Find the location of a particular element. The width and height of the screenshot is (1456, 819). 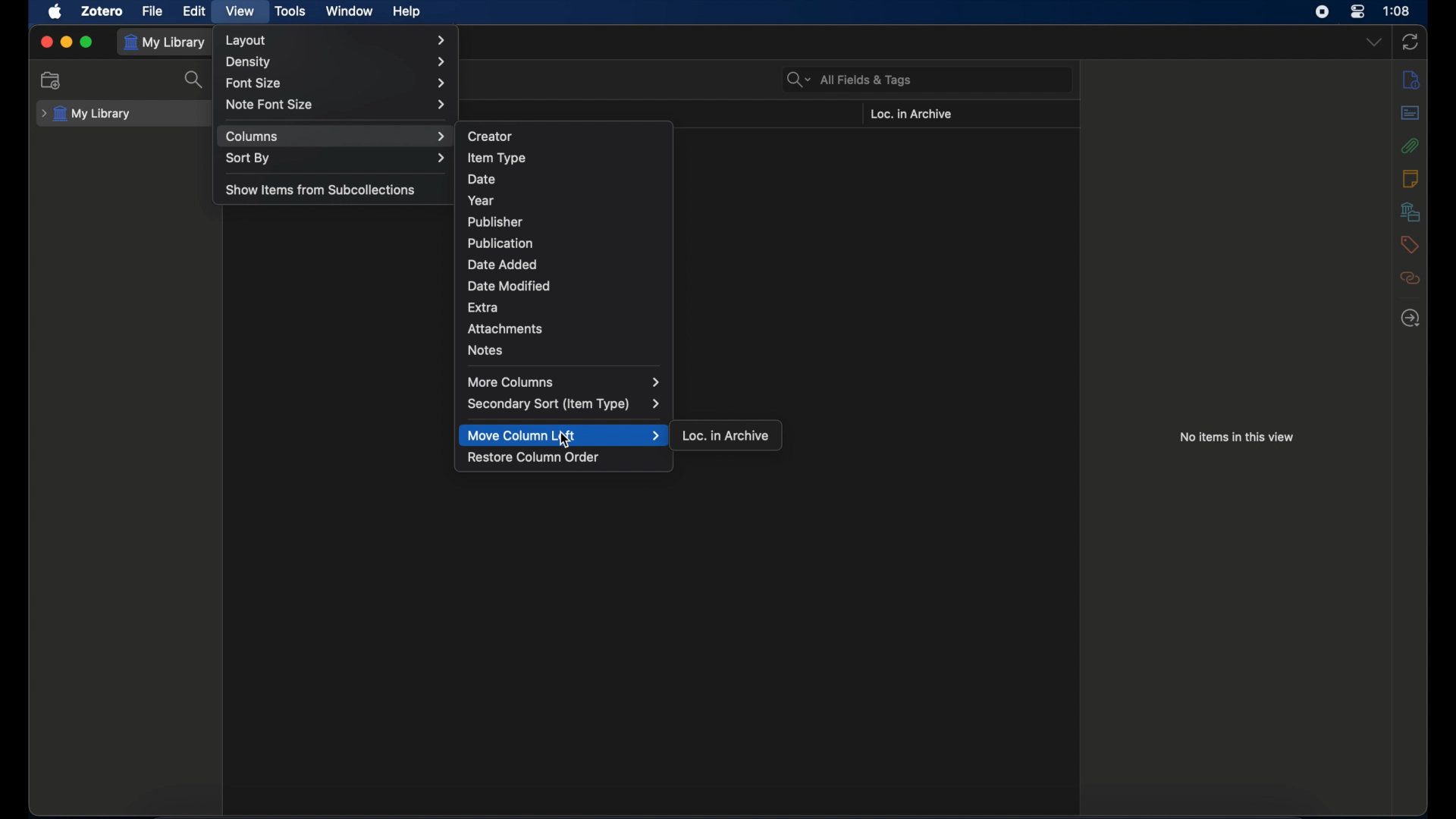

search is located at coordinates (195, 79).